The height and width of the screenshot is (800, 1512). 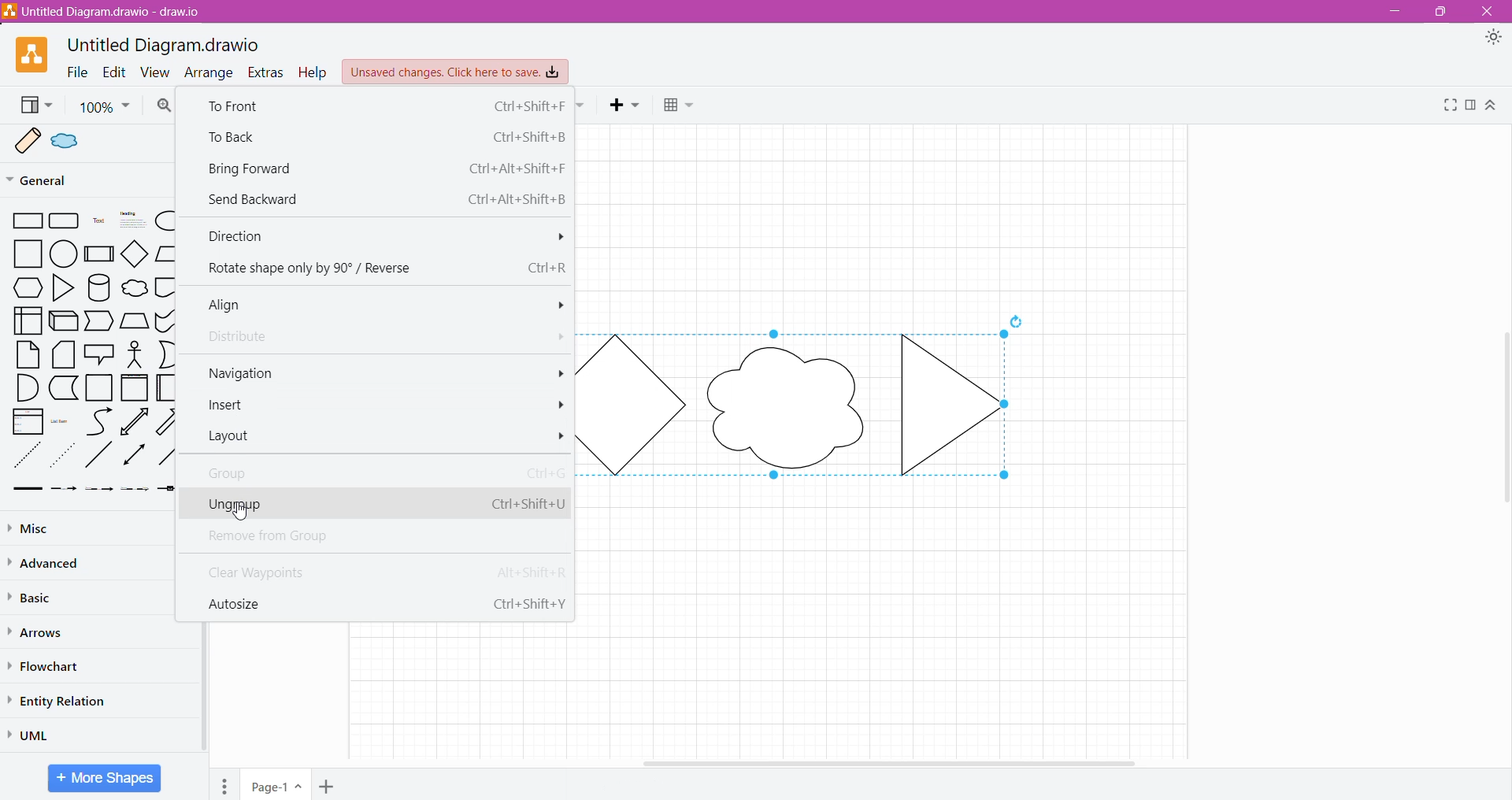 I want to click on Vertical Scroll Bar, so click(x=1503, y=415).